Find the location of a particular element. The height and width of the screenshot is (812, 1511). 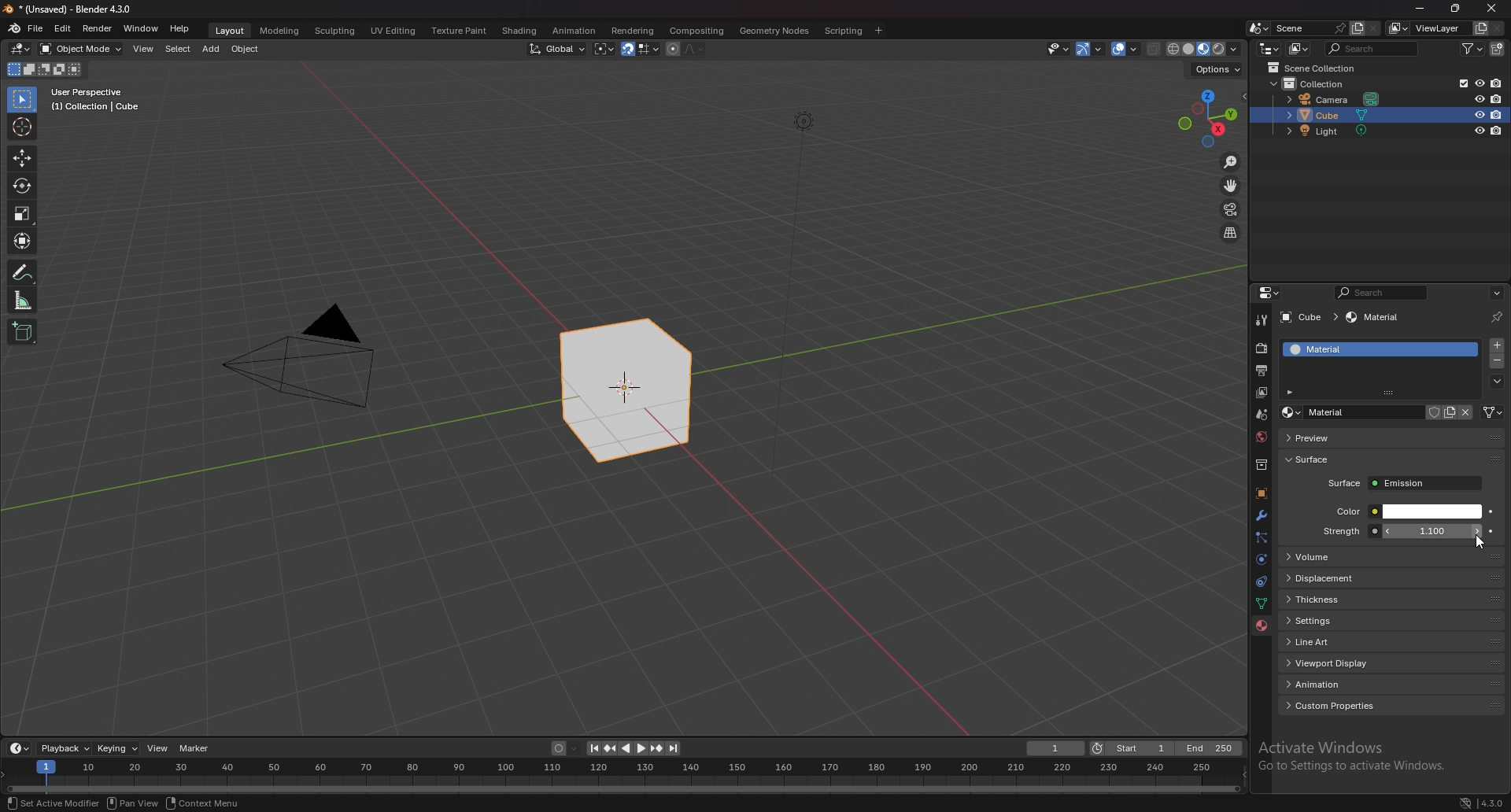

cube is located at coordinates (1361, 116).